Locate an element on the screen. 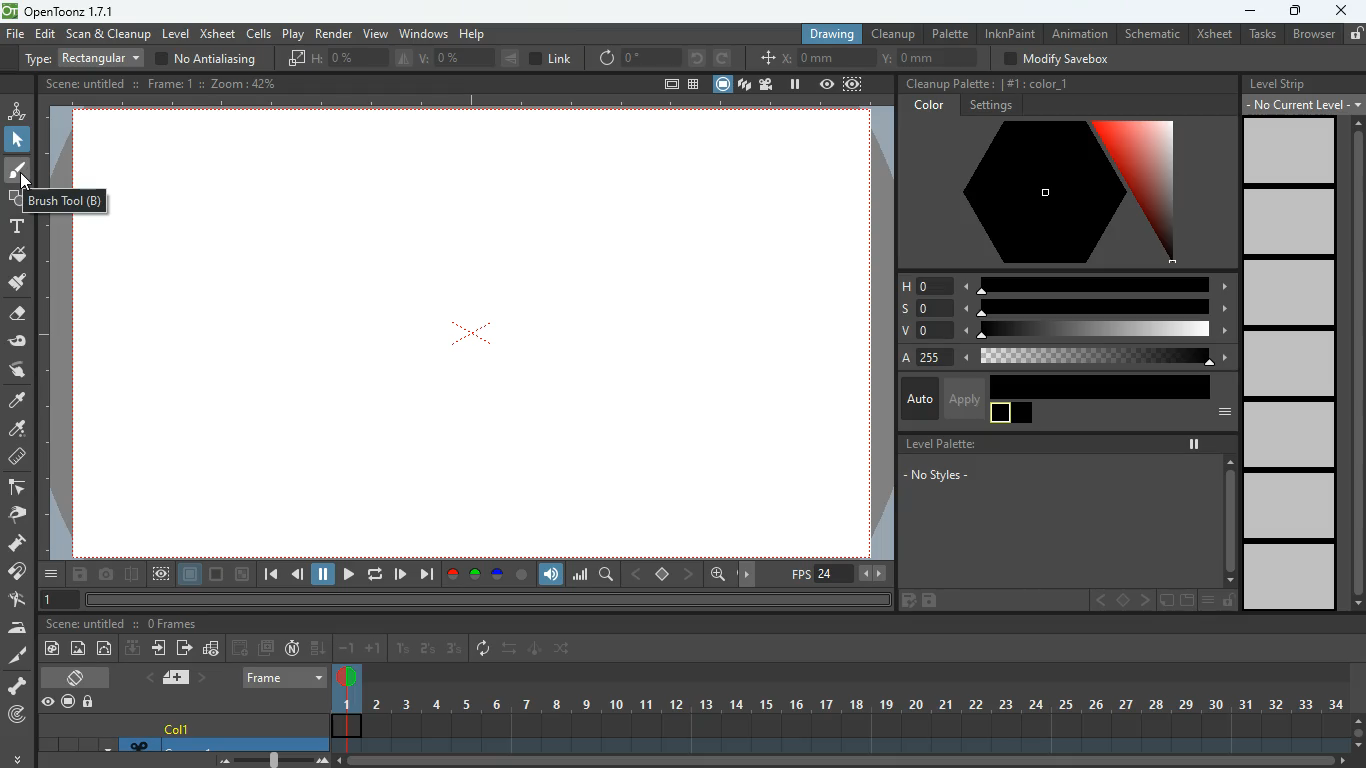  frame is located at coordinates (286, 677).